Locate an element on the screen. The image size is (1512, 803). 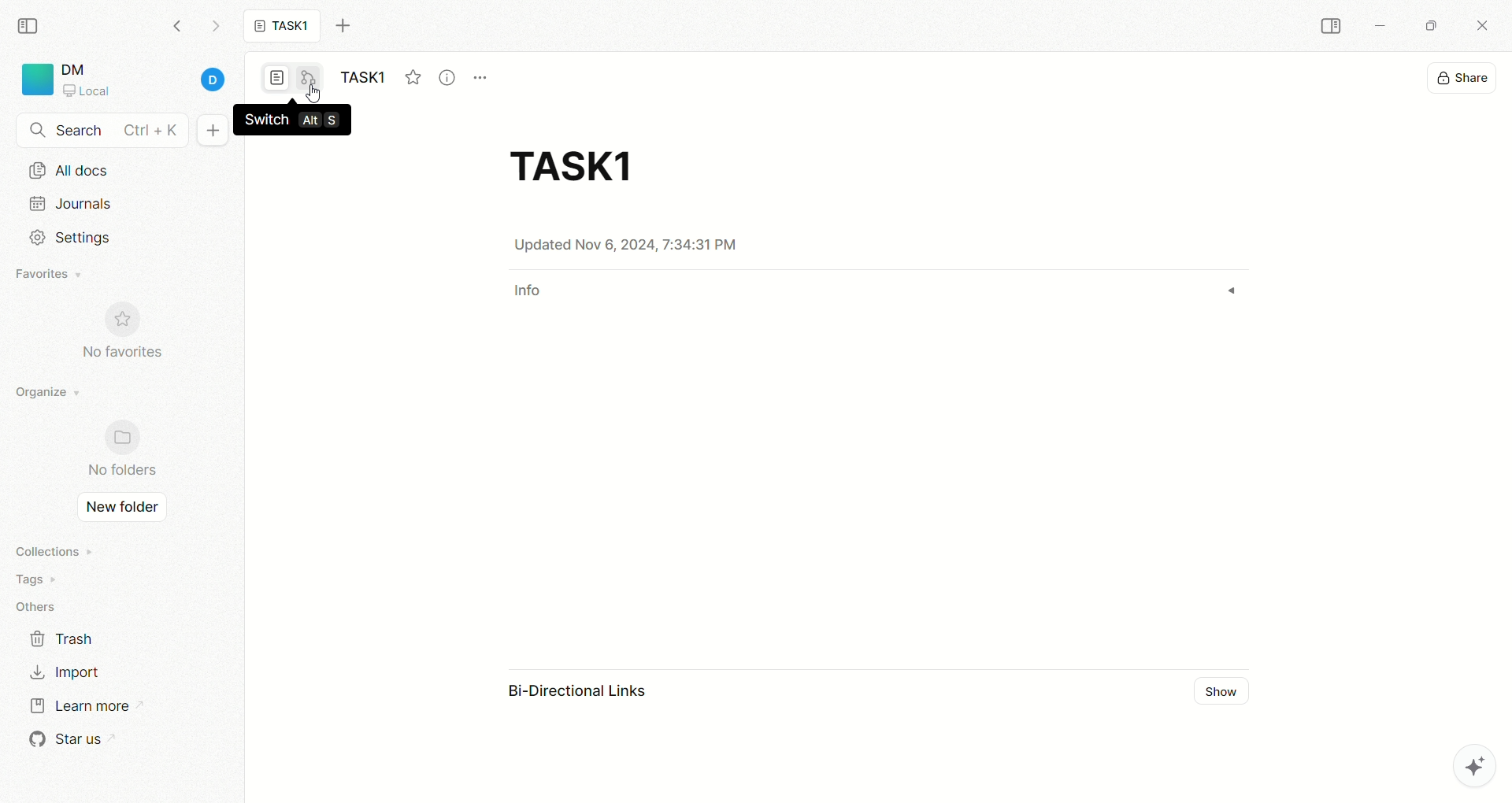
all docs is located at coordinates (69, 170).